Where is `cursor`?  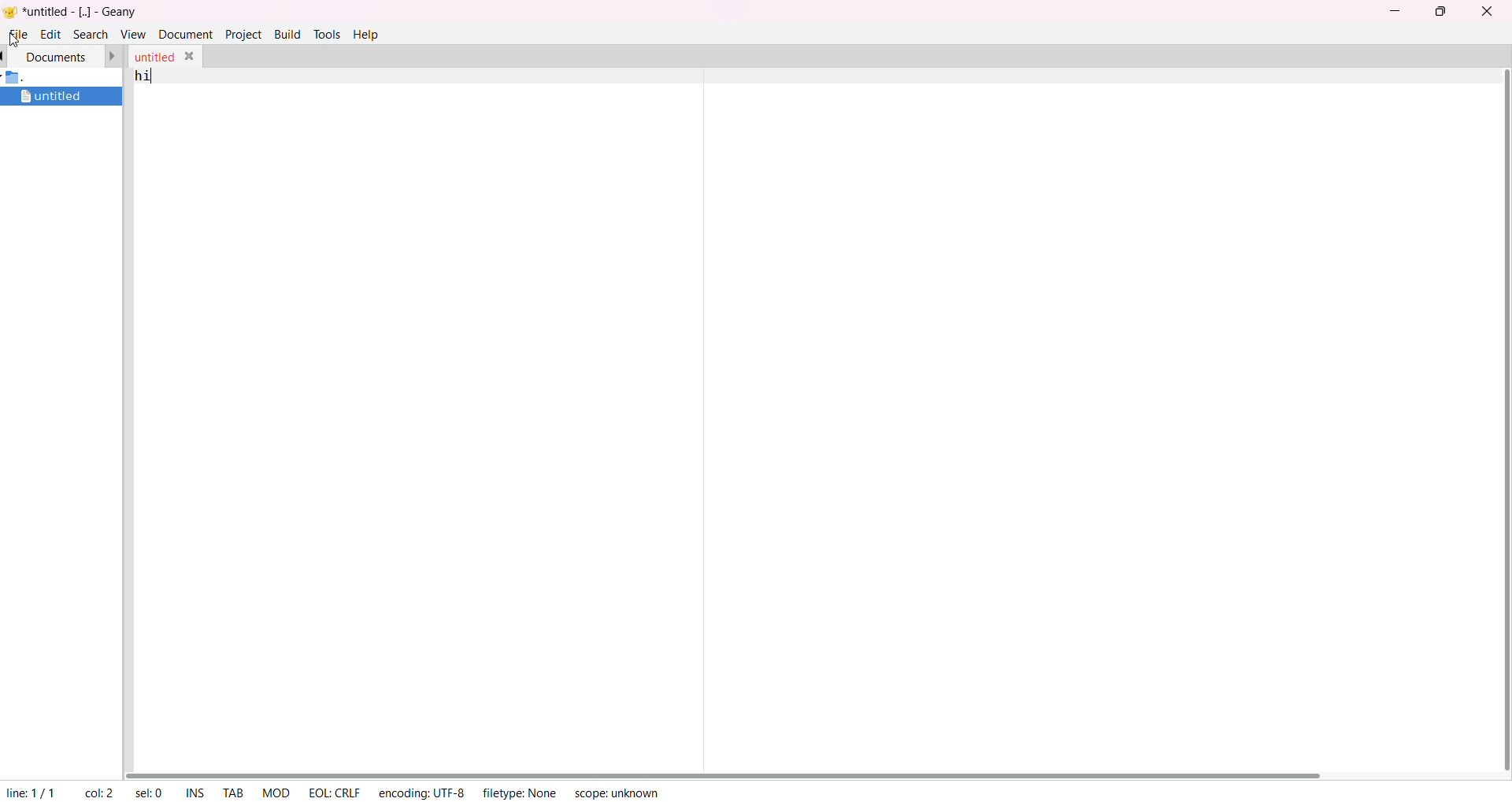 cursor is located at coordinates (14, 42).